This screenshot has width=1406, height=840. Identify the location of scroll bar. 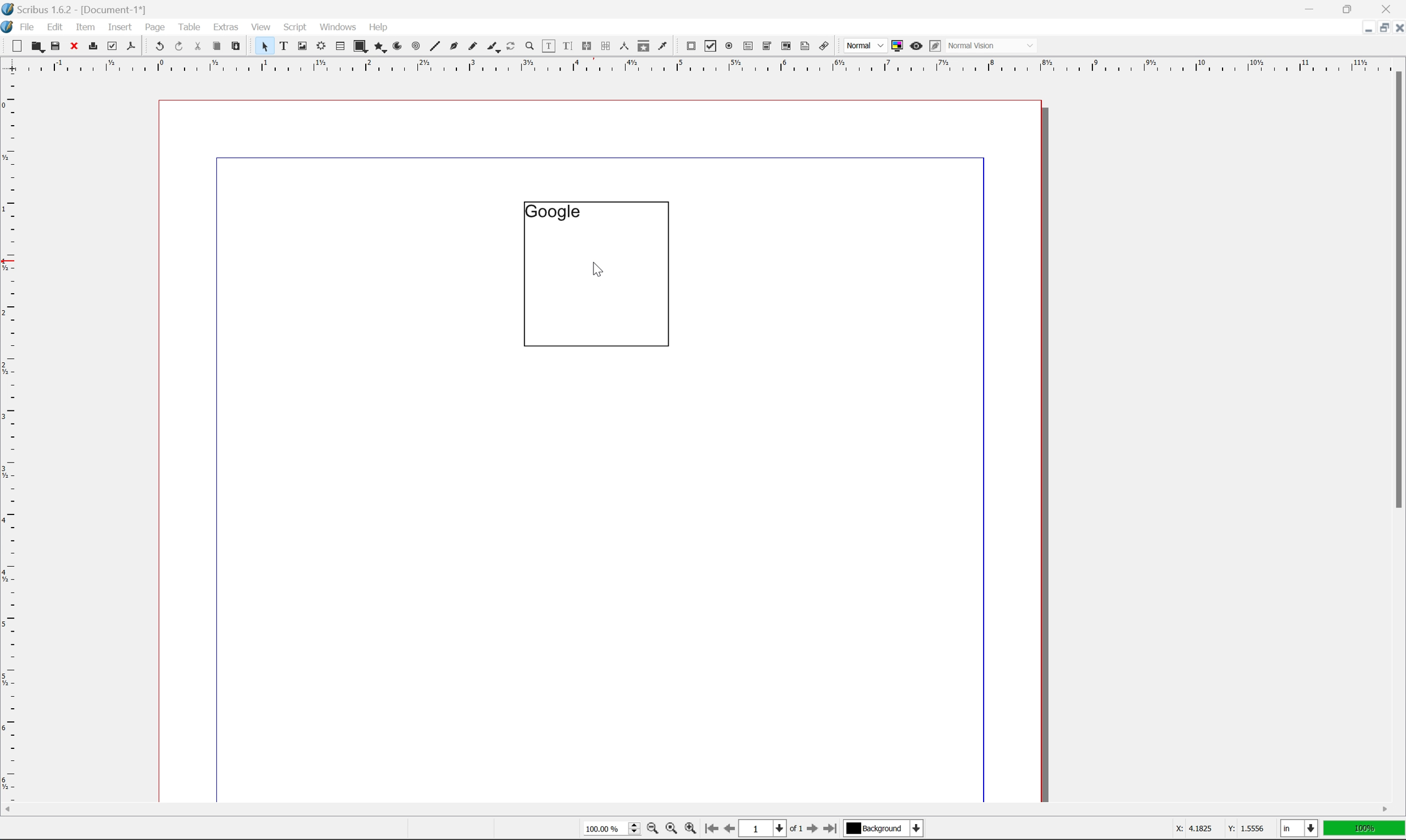
(1396, 289).